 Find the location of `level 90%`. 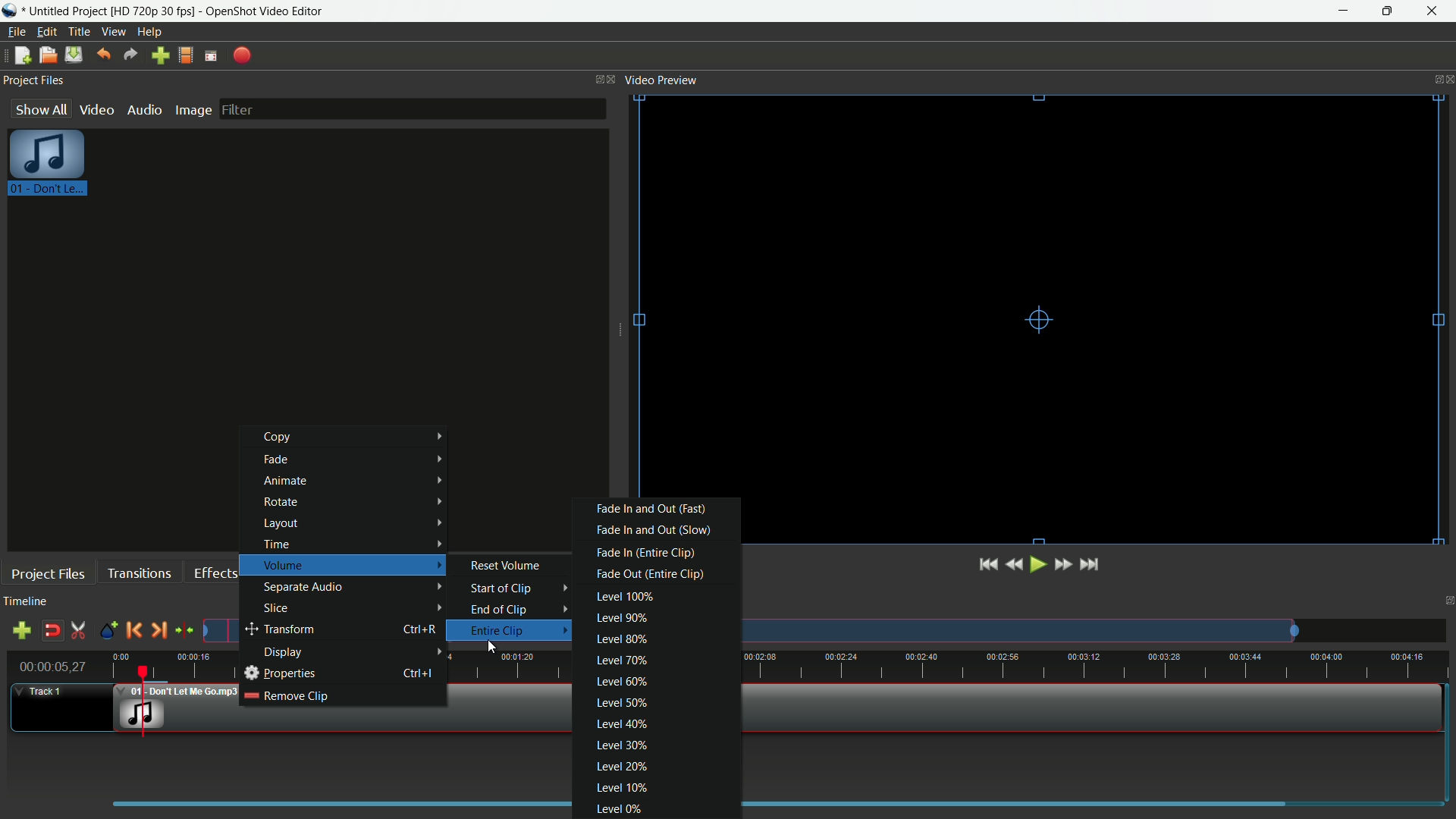

level 90% is located at coordinates (620, 617).